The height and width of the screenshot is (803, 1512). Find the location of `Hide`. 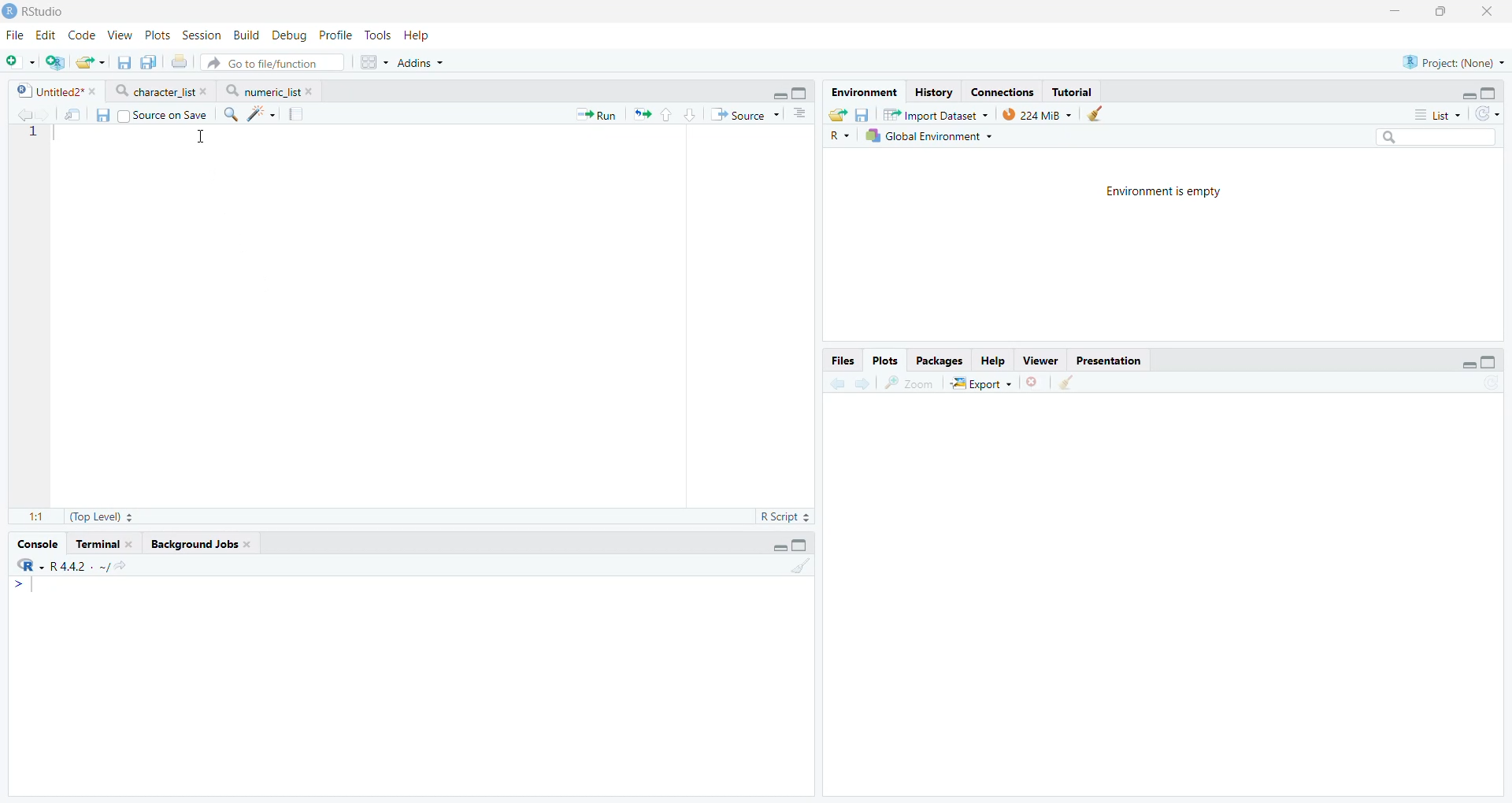

Hide is located at coordinates (778, 546).